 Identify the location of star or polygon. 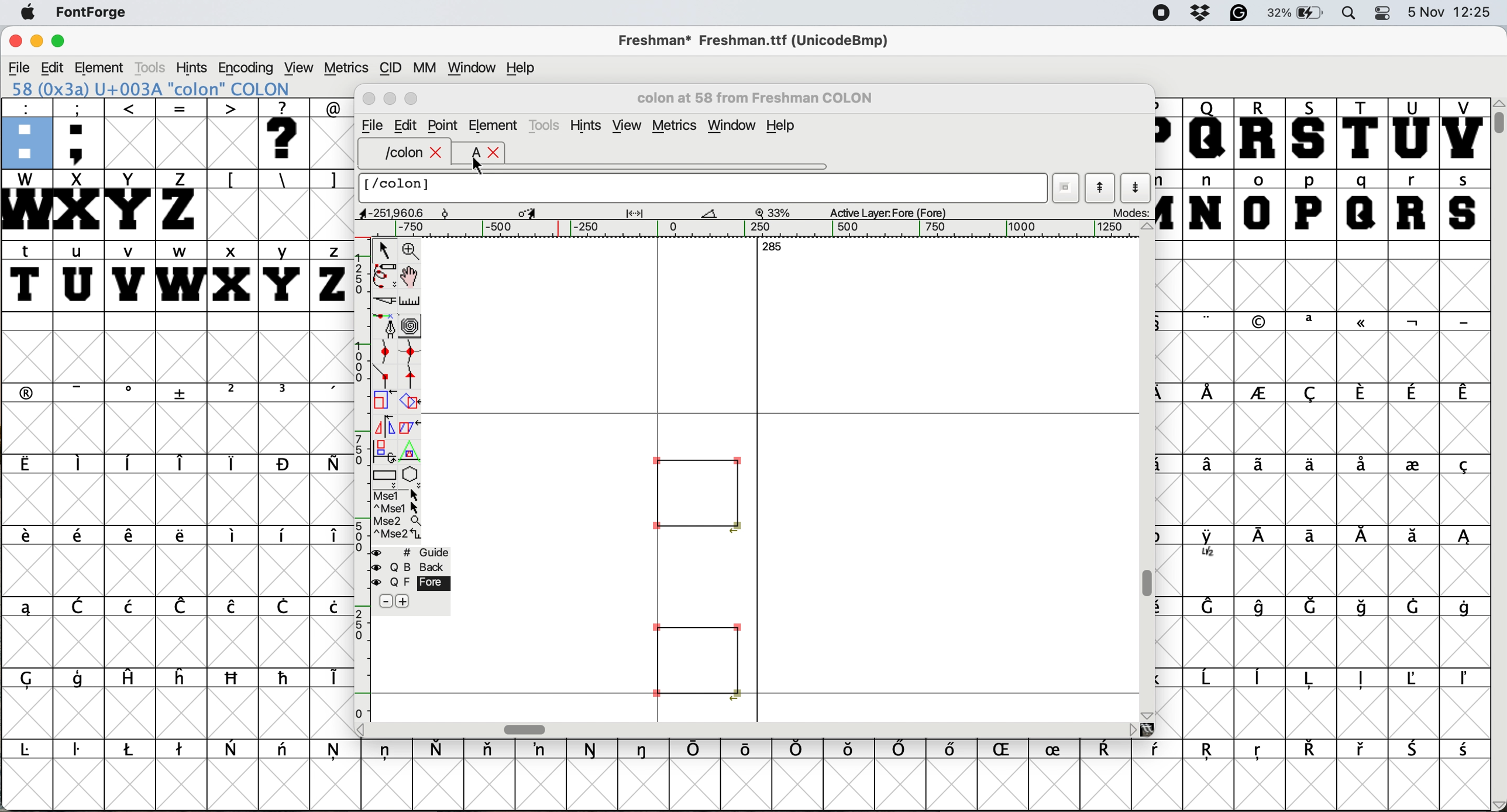
(414, 472).